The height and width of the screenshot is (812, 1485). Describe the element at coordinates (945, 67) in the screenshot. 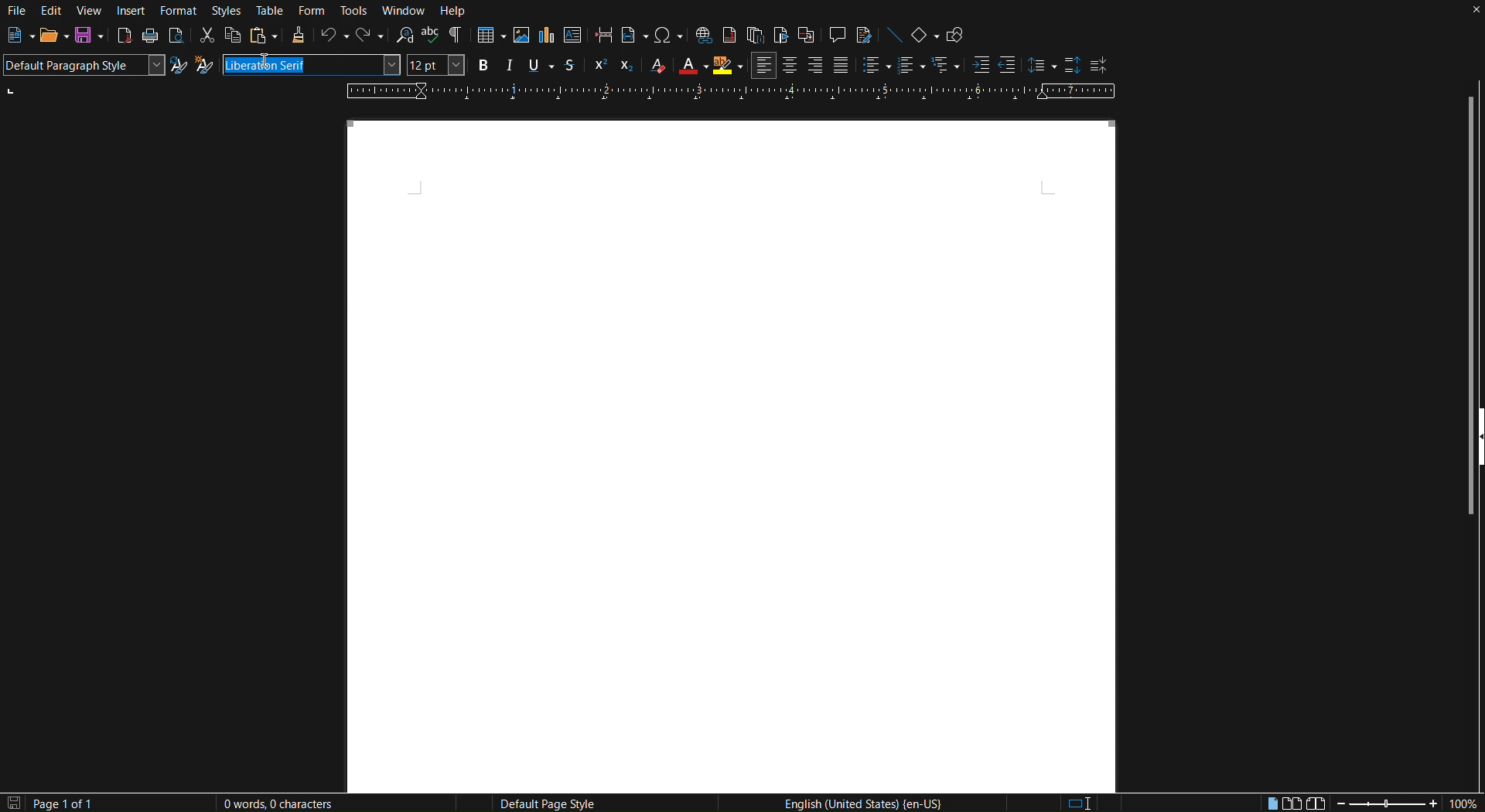

I see `Select outline format` at that location.